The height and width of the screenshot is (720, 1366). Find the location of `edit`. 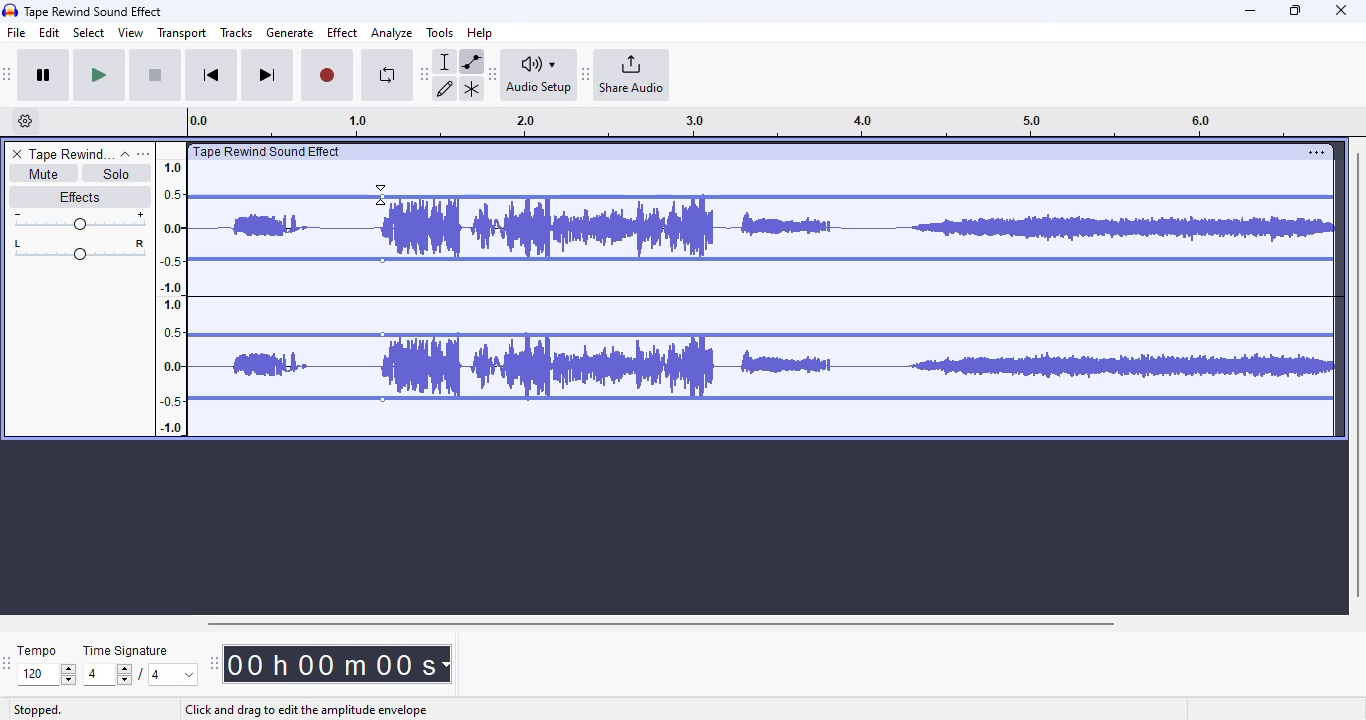

edit is located at coordinates (50, 33).